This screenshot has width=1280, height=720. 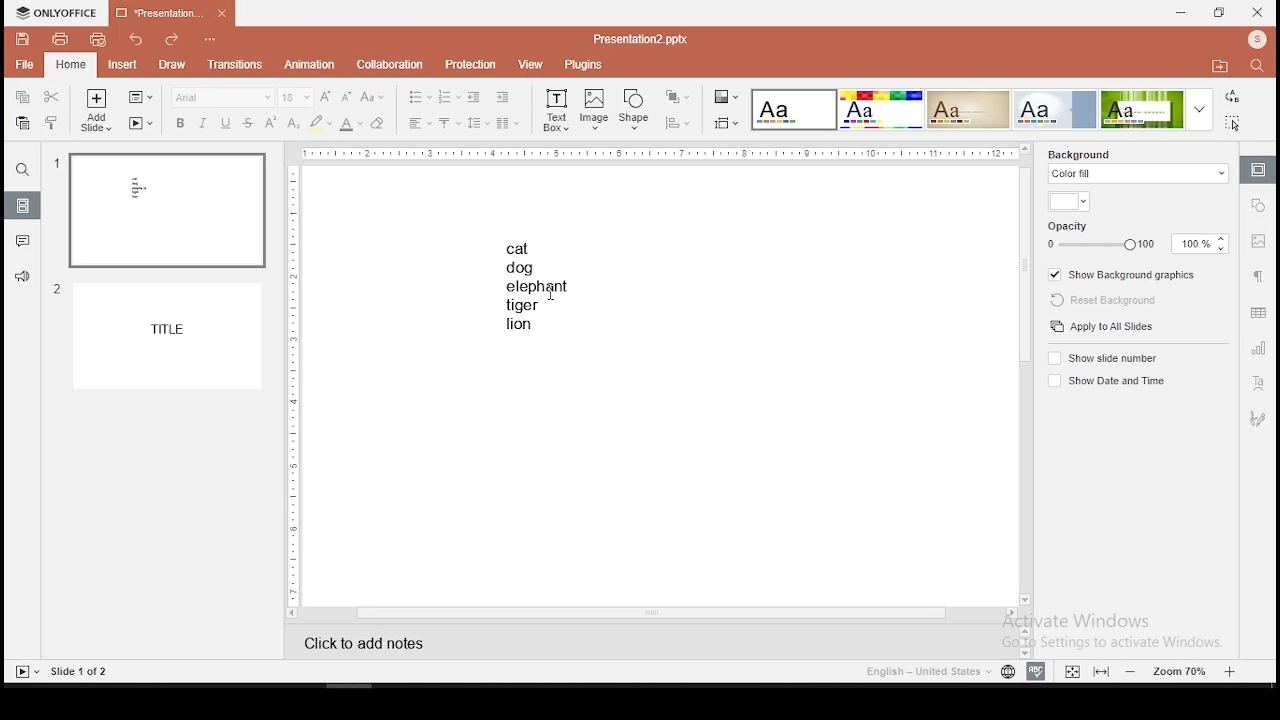 I want to click on view, so click(x=527, y=65).